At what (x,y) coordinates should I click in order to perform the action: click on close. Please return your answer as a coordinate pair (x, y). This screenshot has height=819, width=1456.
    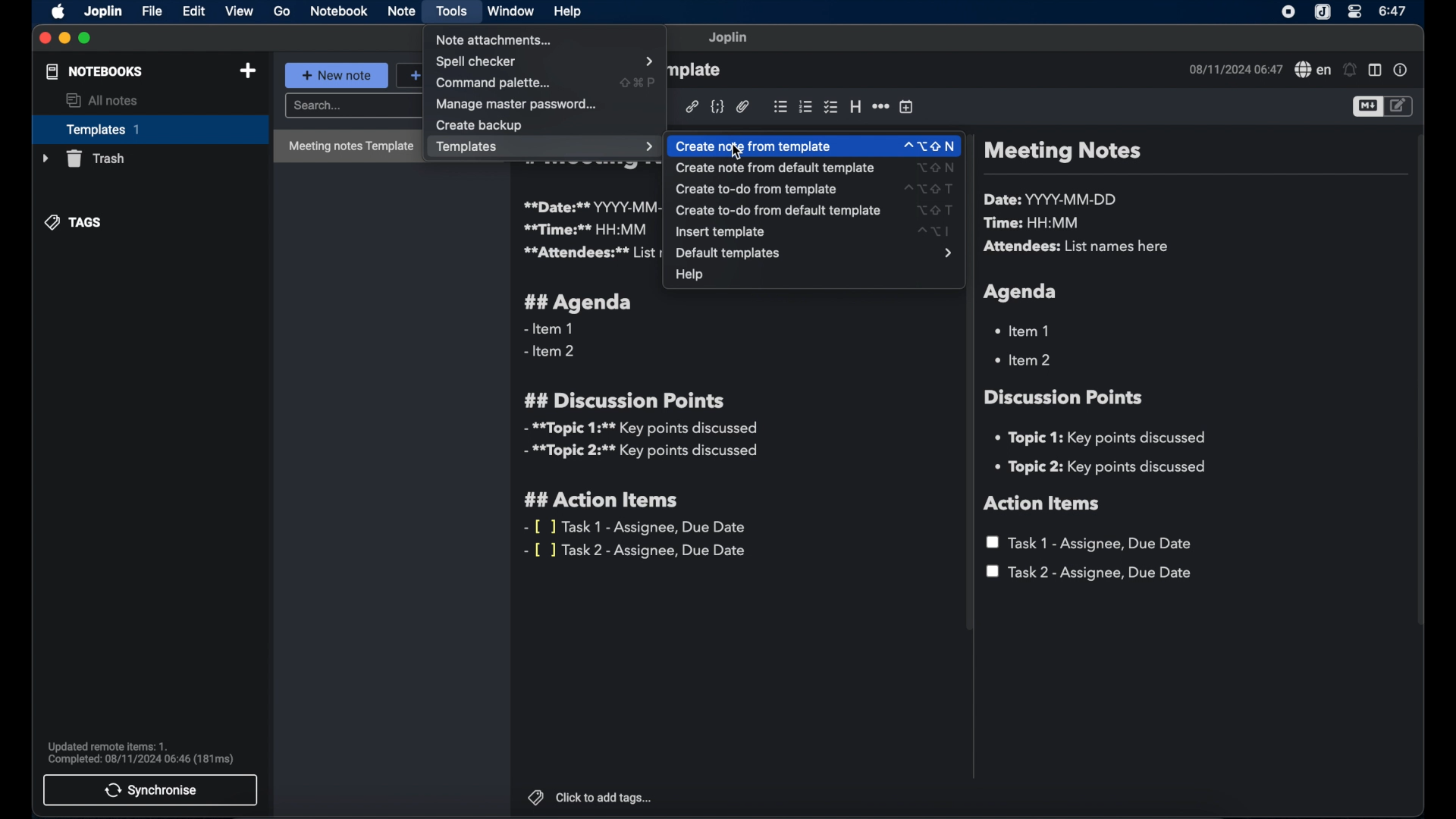
    Looking at the image, I should click on (45, 39).